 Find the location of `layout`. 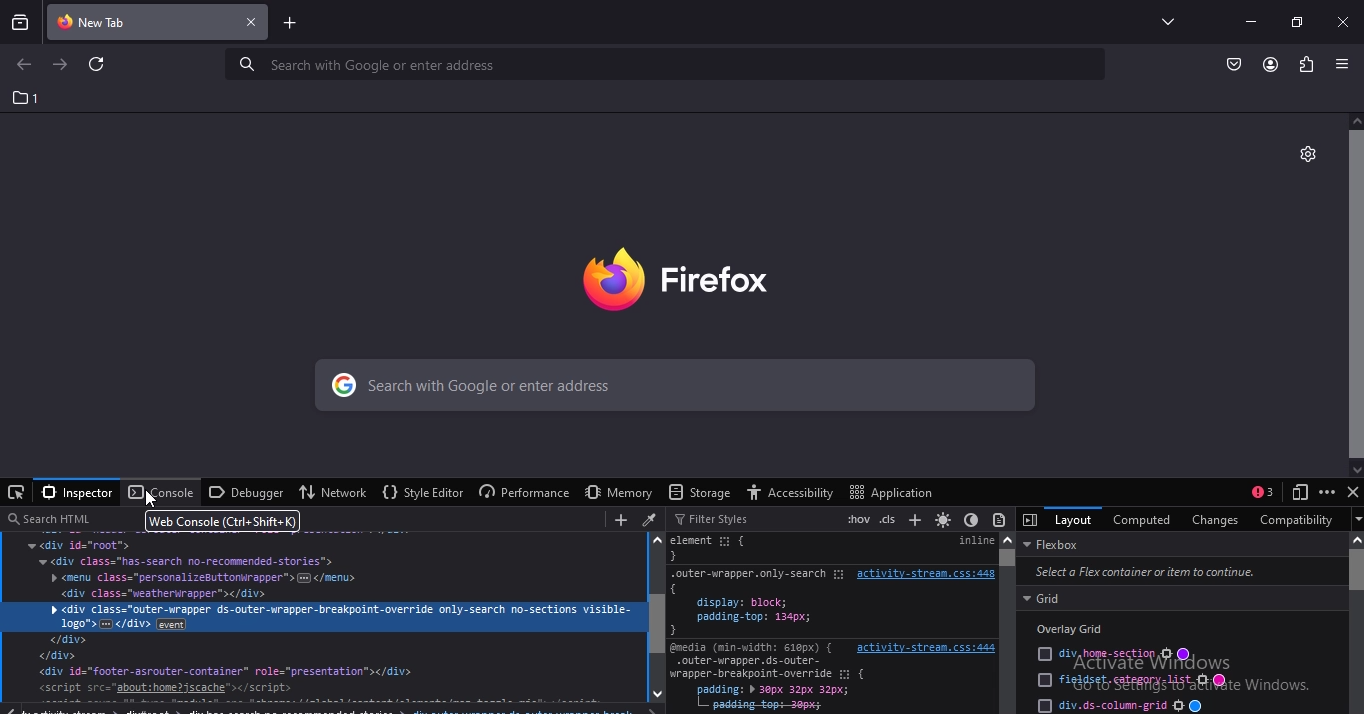

layout is located at coordinates (1076, 519).